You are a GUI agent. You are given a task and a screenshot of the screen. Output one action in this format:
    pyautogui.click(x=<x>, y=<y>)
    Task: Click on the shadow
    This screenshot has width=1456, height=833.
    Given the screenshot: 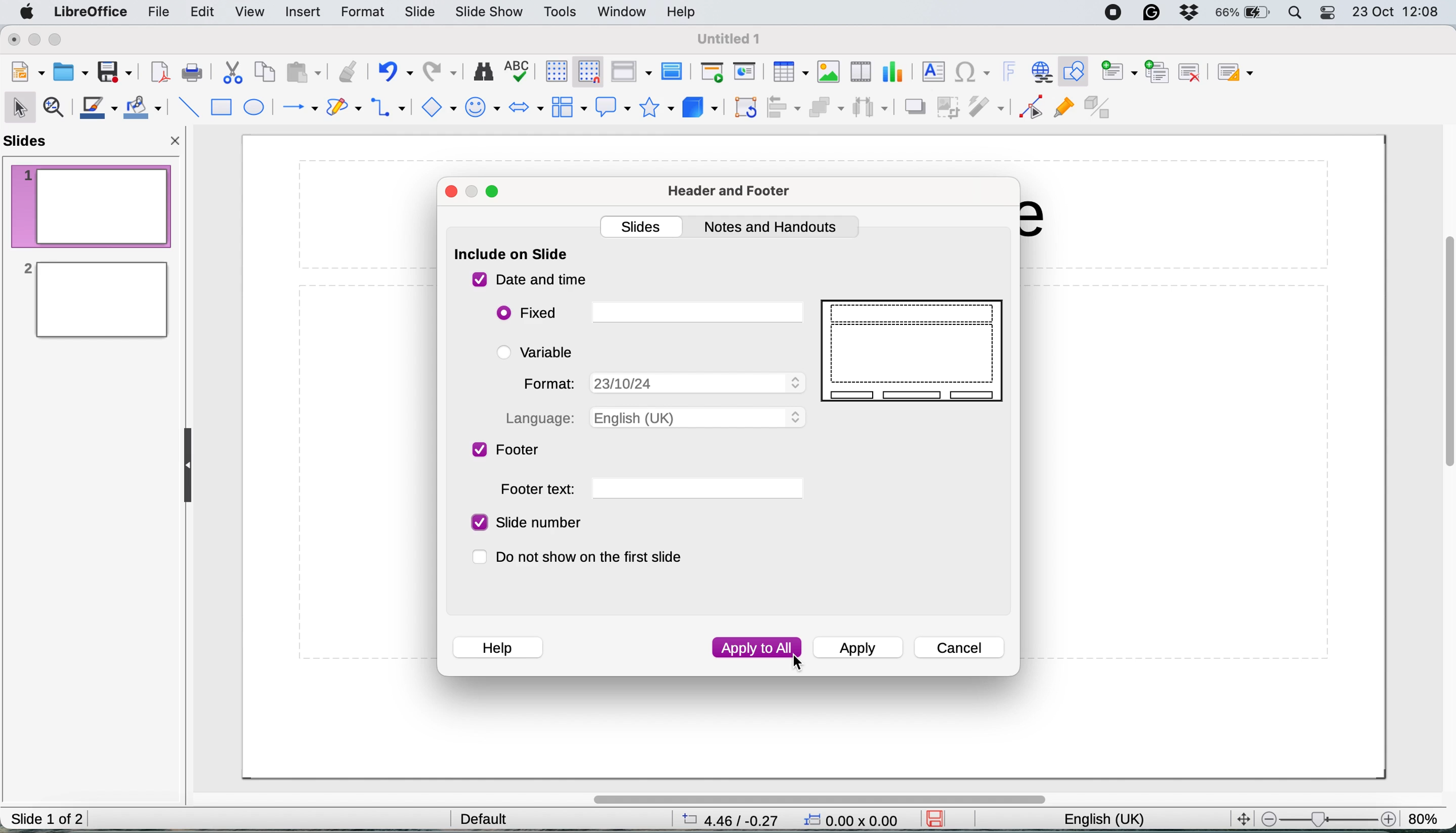 What is the action you would take?
    pyautogui.click(x=914, y=107)
    